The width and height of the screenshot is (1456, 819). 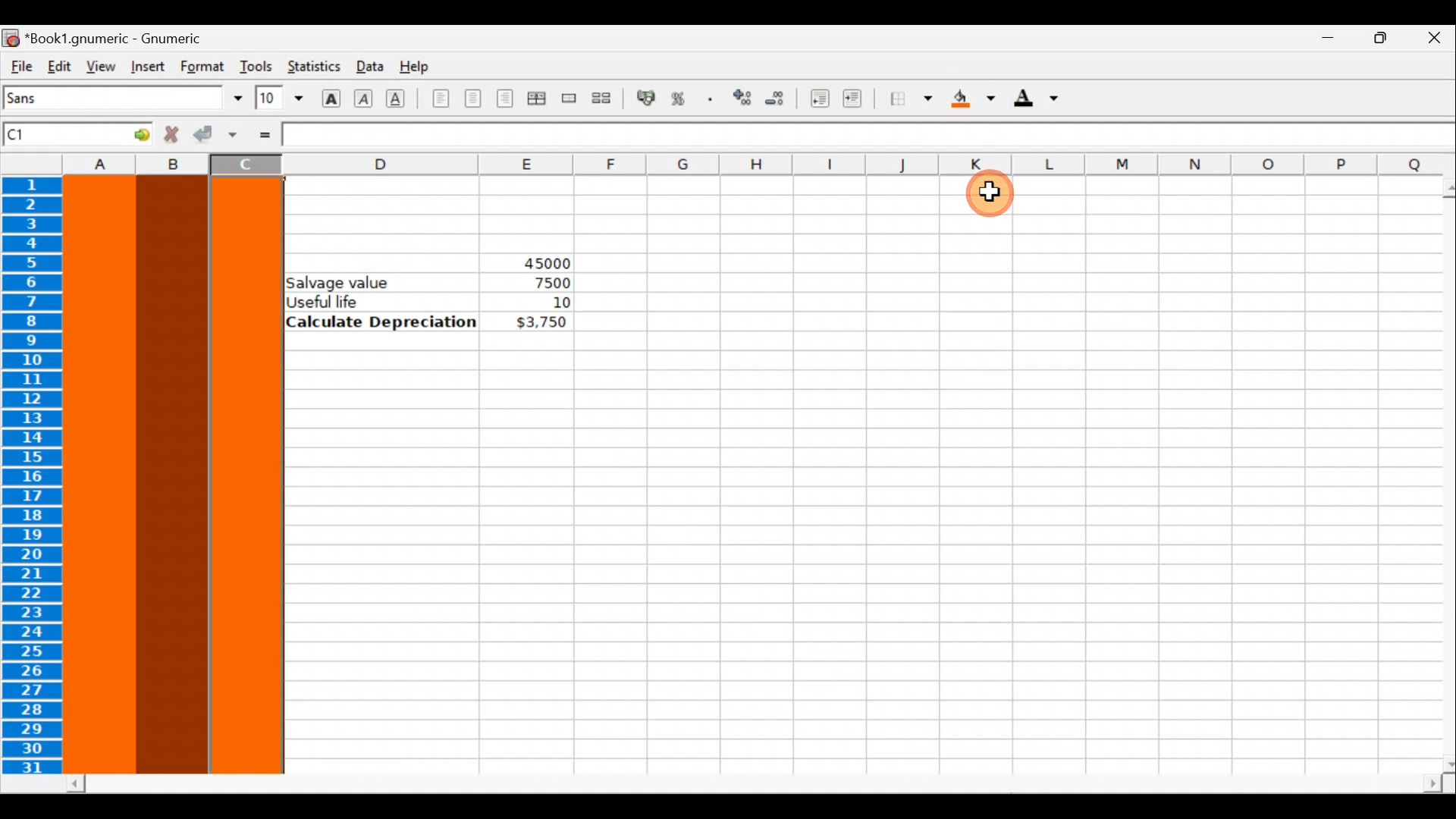 I want to click on Columns, so click(x=723, y=164).